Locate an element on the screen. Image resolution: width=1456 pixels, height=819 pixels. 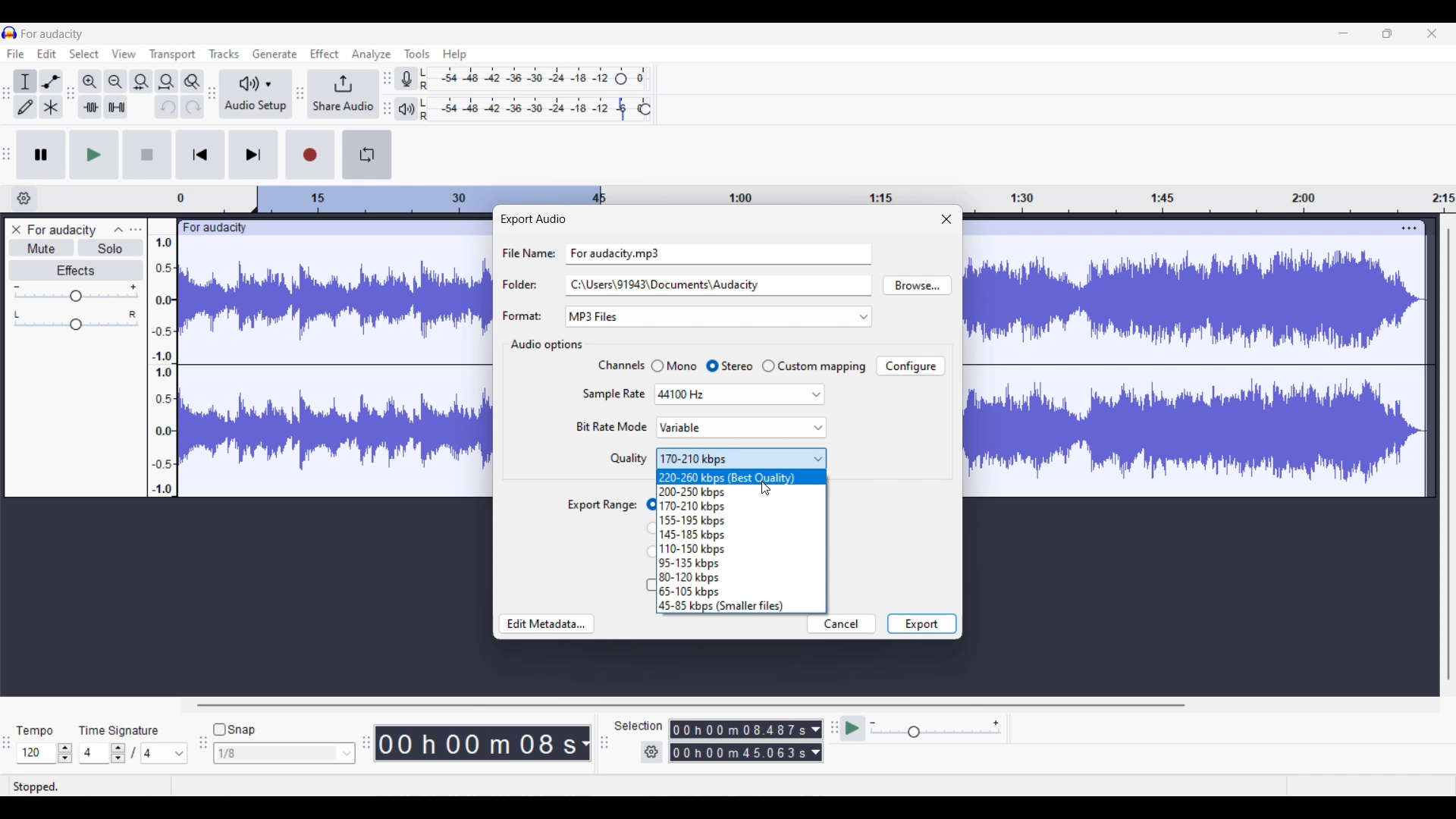
Multi-tool is located at coordinates (51, 107).